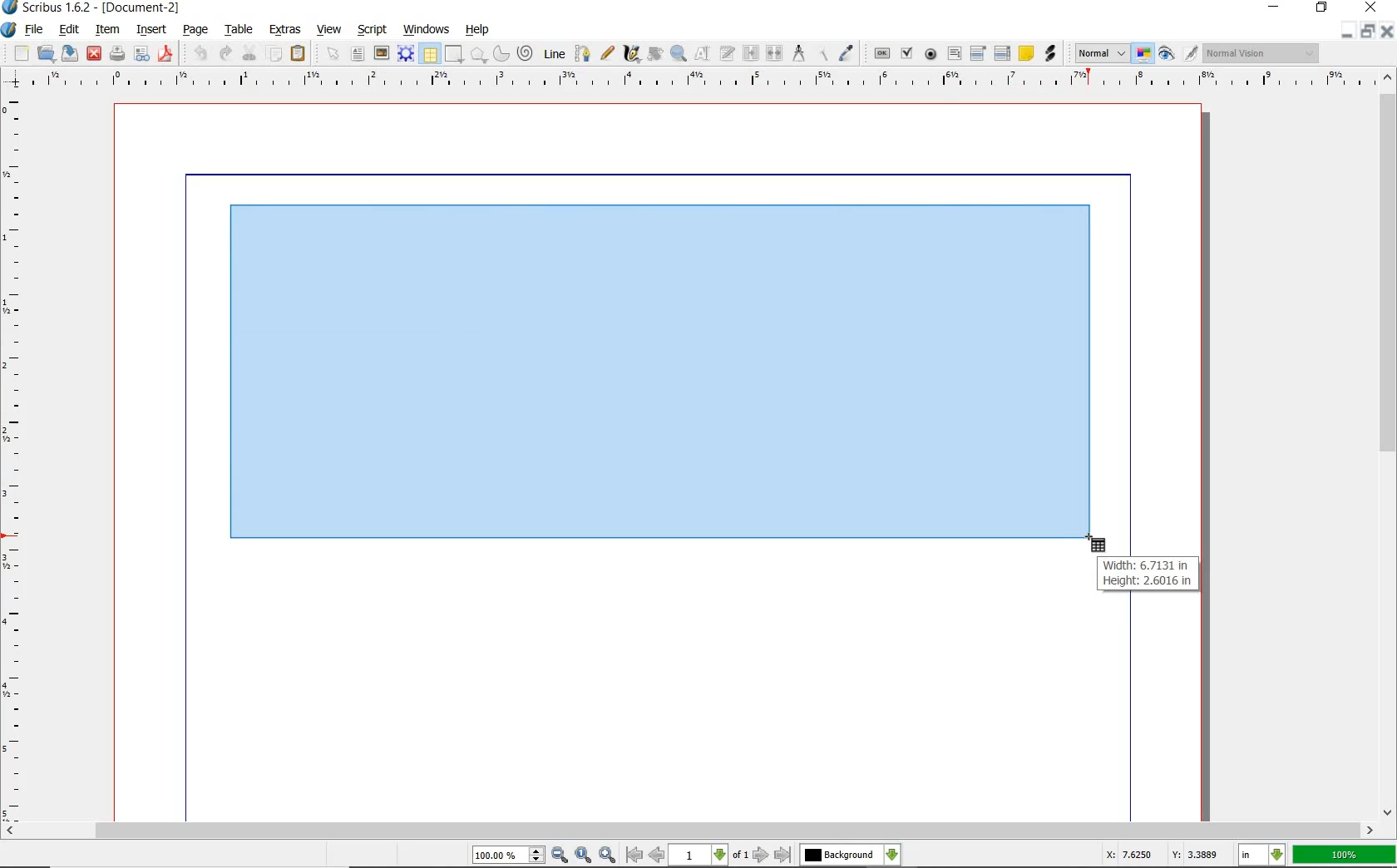 This screenshot has width=1397, height=868. What do you see at coordinates (165, 54) in the screenshot?
I see `safe as pdf` at bounding box center [165, 54].